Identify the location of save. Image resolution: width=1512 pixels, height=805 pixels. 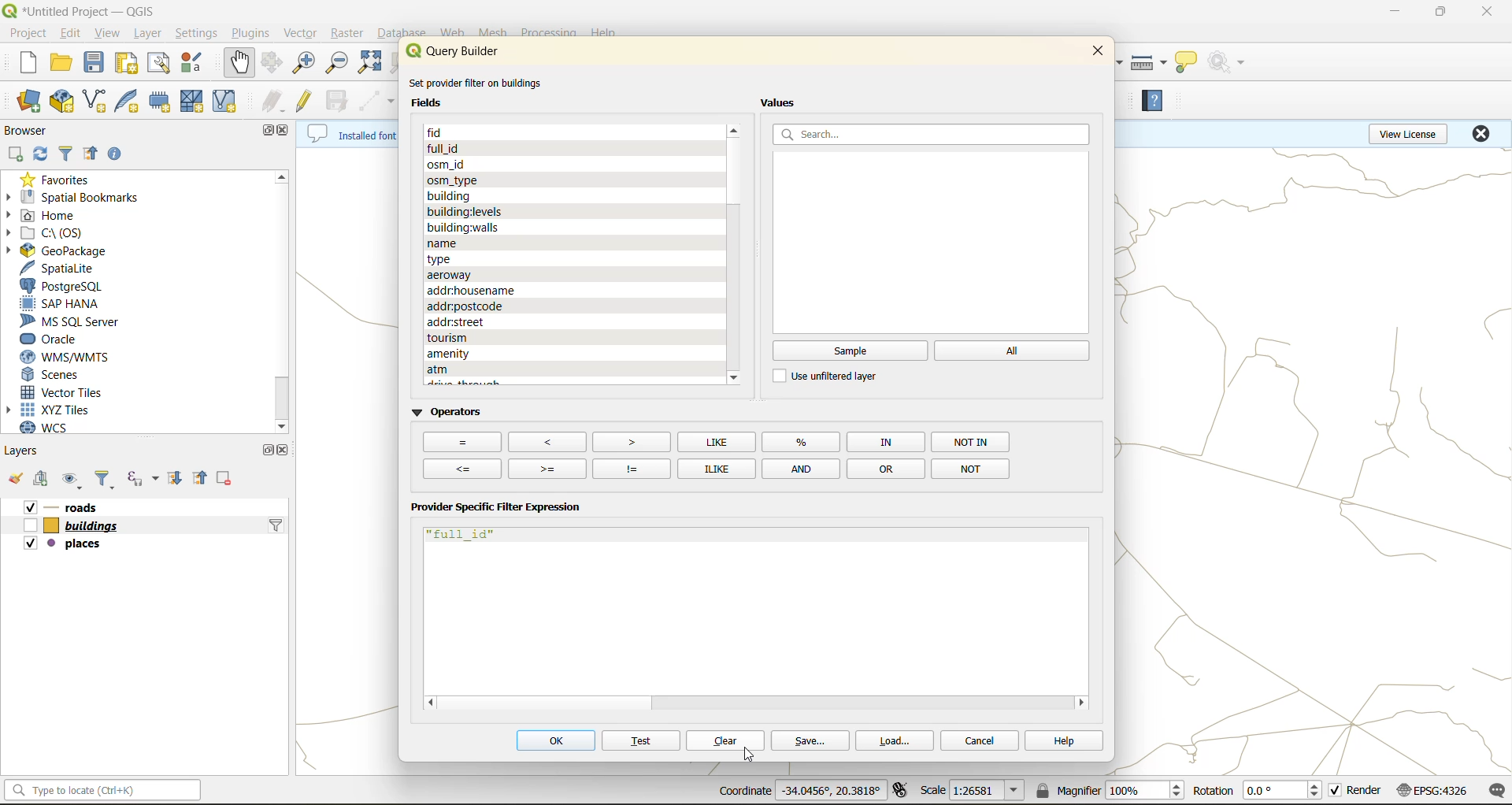
(811, 742).